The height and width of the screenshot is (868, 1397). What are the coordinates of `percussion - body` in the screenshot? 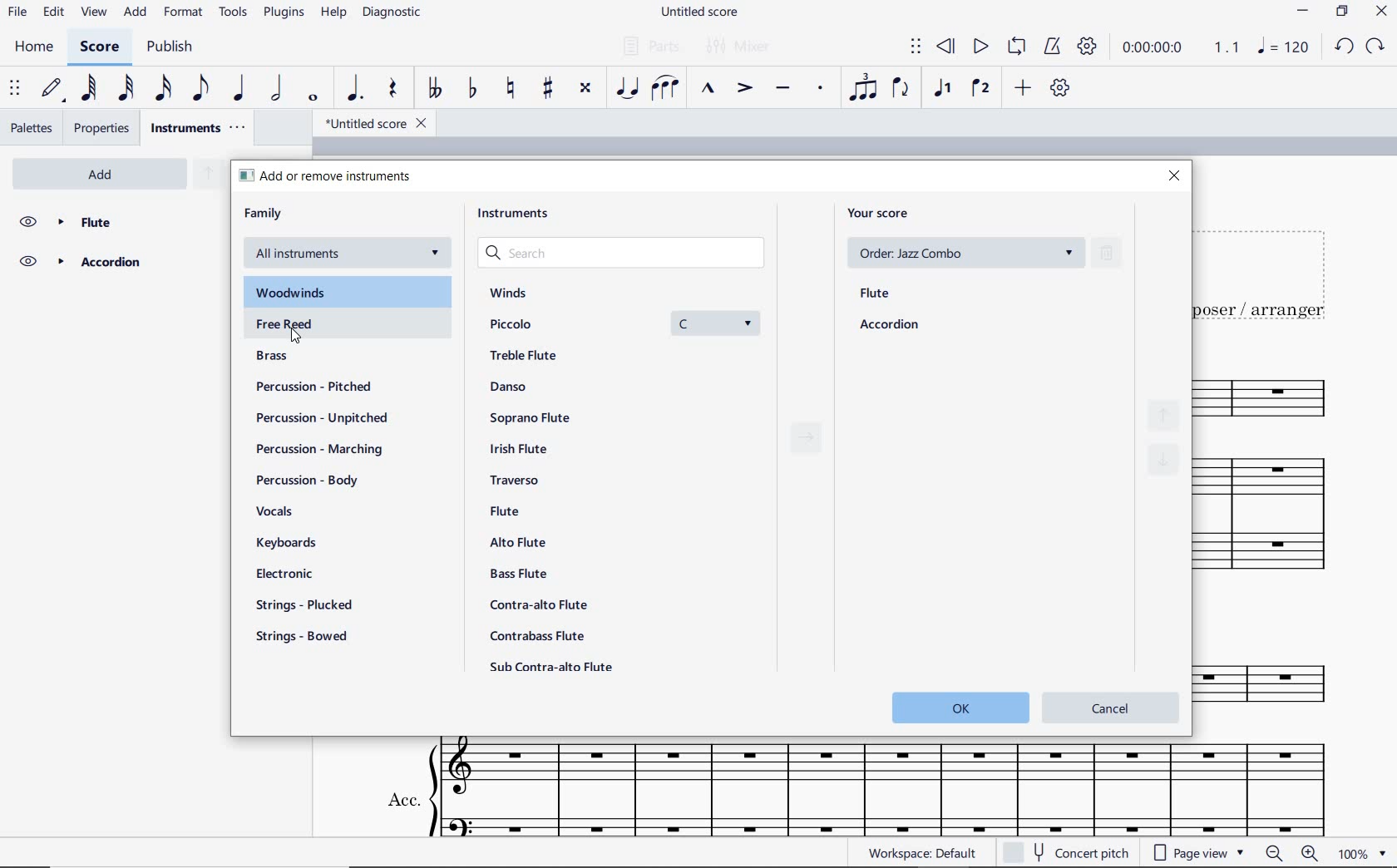 It's located at (303, 479).